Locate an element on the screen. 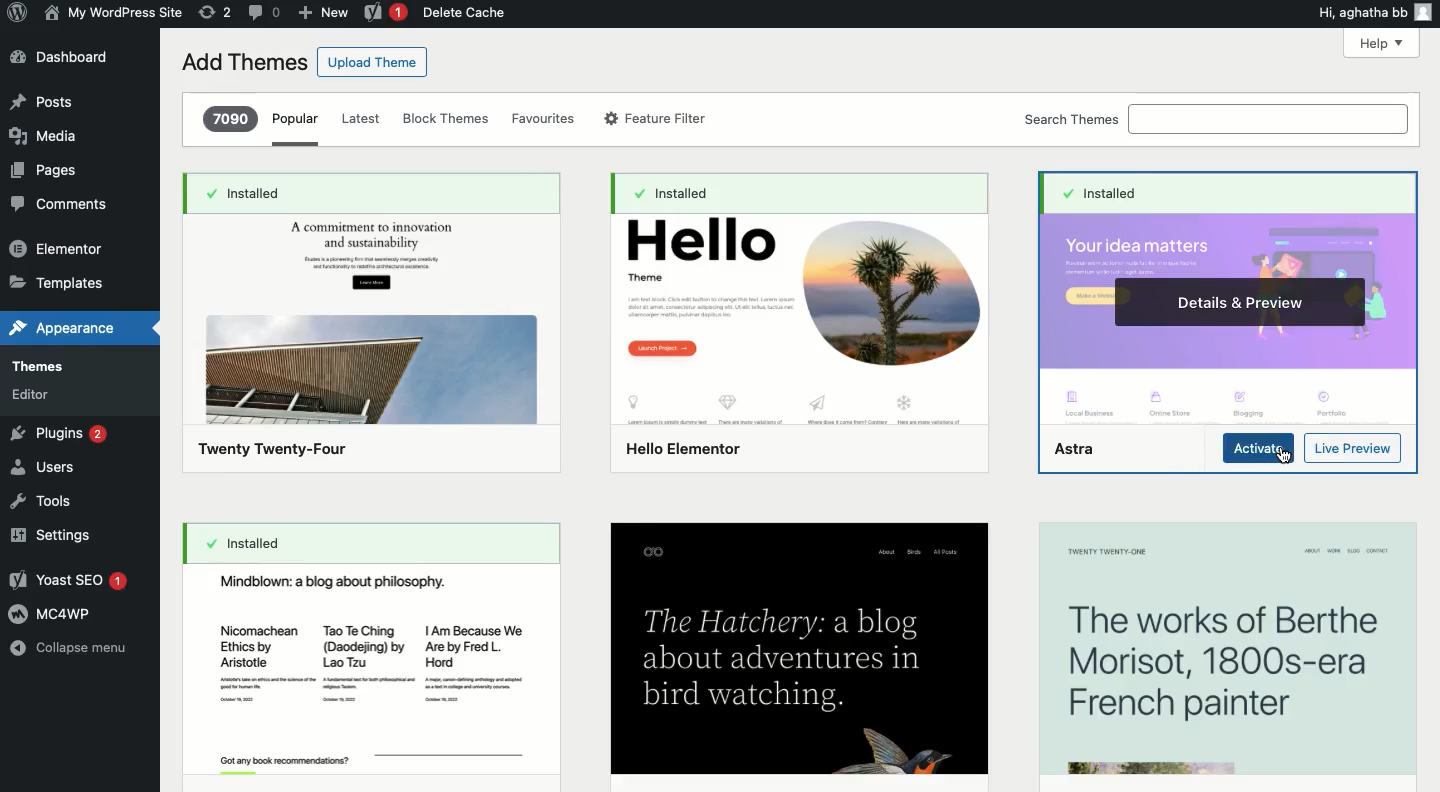  Search themes is located at coordinates (1214, 119).